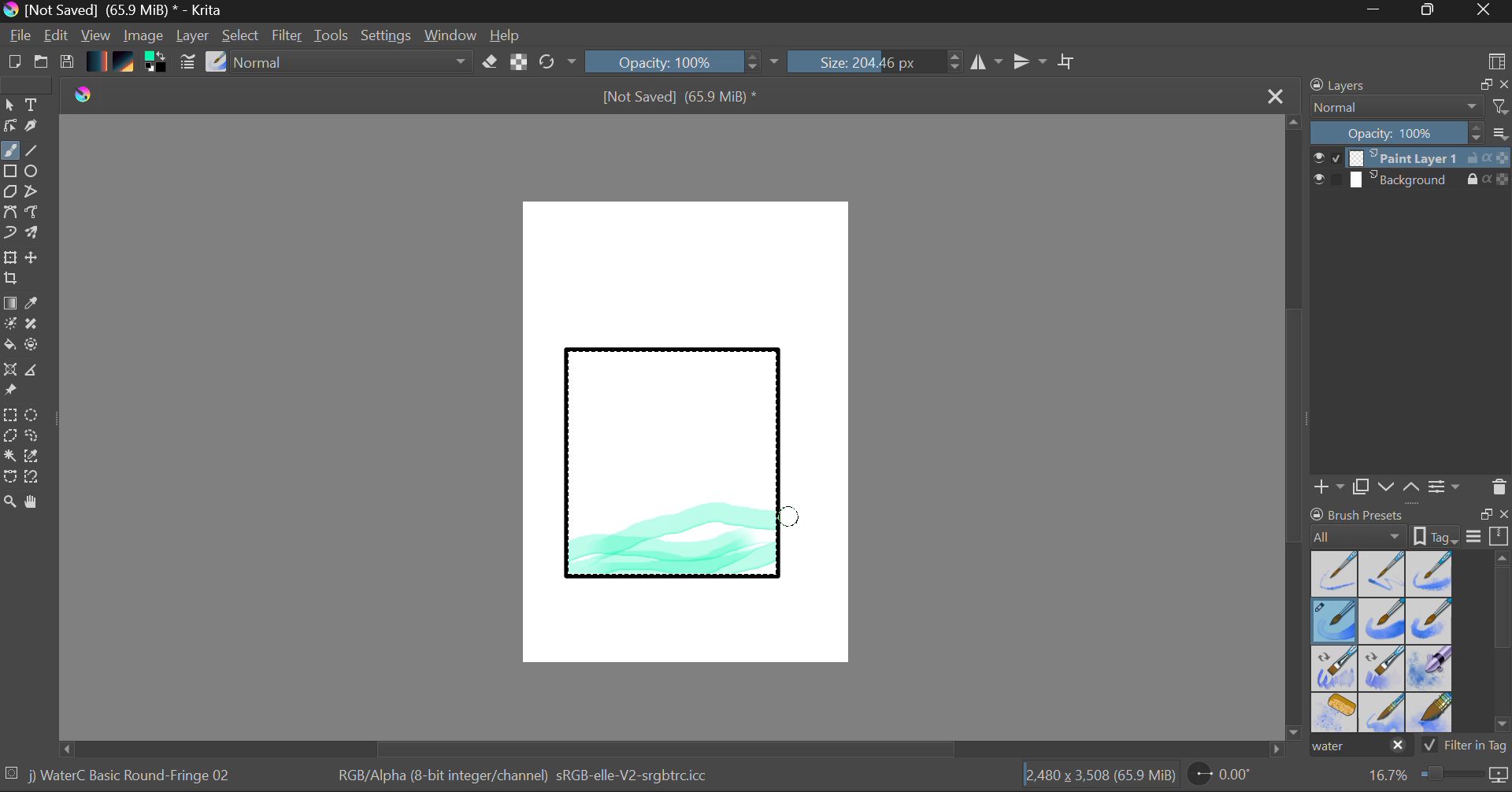  Describe the element at coordinates (145, 37) in the screenshot. I see `Image` at that location.